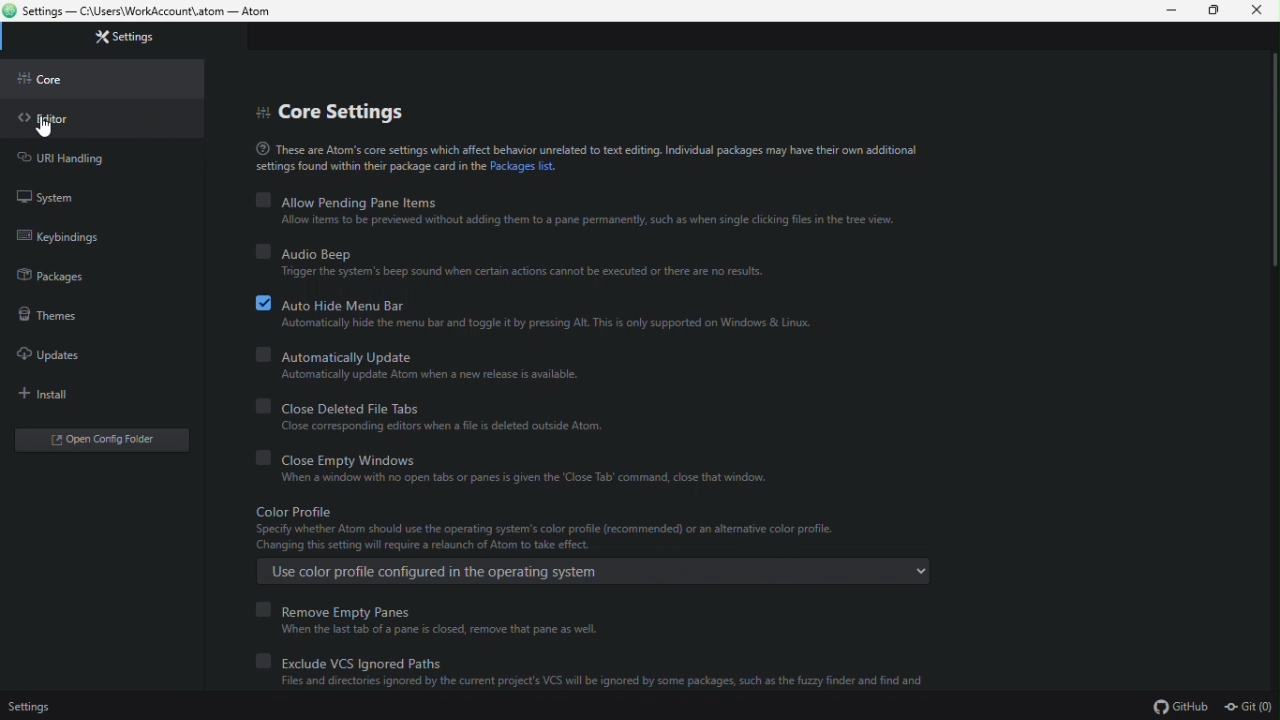 The width and height of the screenshot is (1280, 720). I want to click on git, so click(1246, 703).